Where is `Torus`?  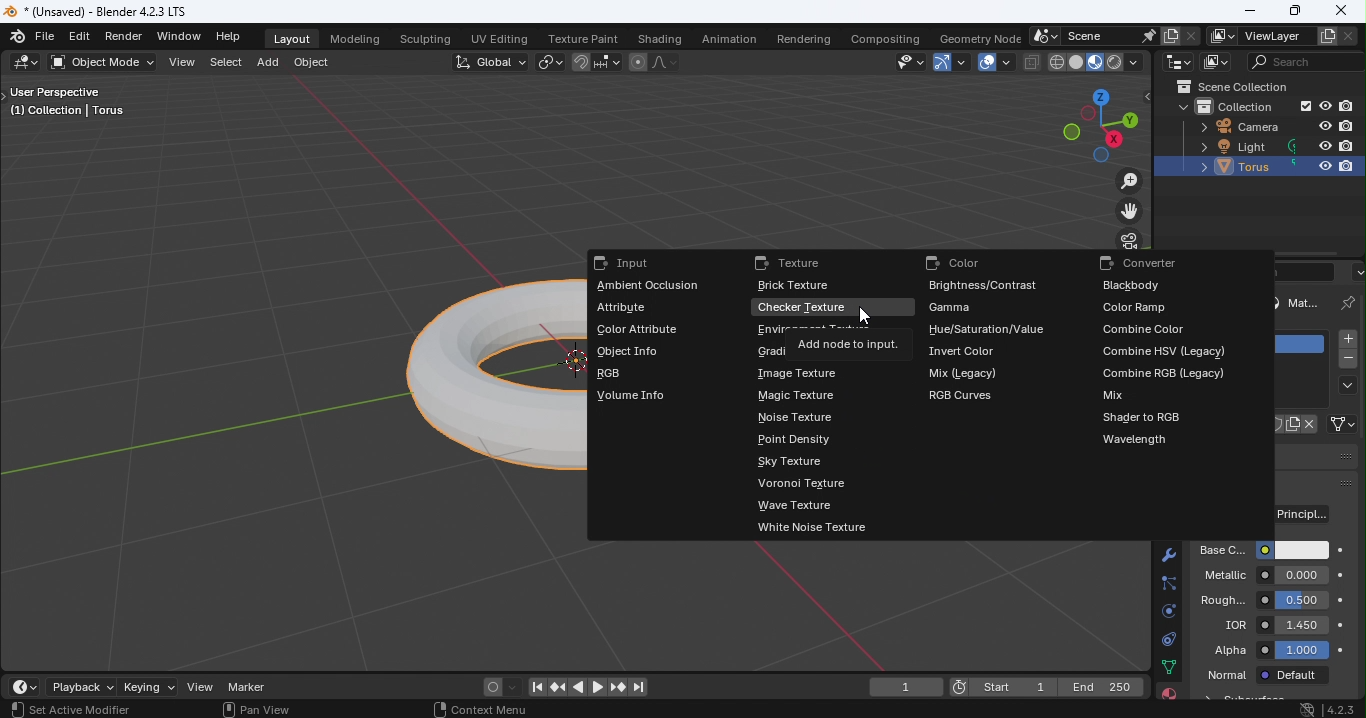 Torus is located at coordinates (1216, 167).